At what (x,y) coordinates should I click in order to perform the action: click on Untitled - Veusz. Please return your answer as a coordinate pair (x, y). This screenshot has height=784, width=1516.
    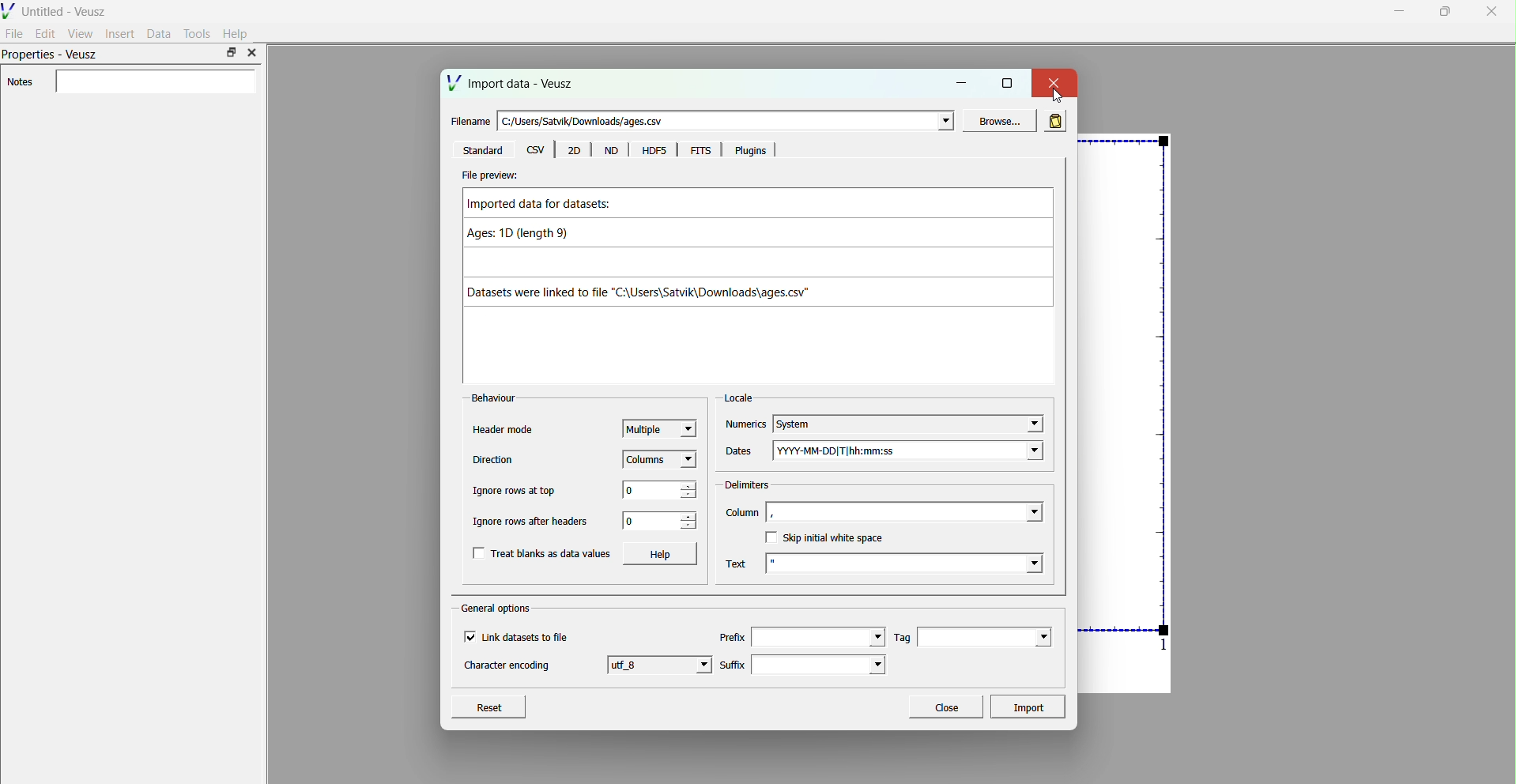
    Looking at the image, I should click on (57, 9).